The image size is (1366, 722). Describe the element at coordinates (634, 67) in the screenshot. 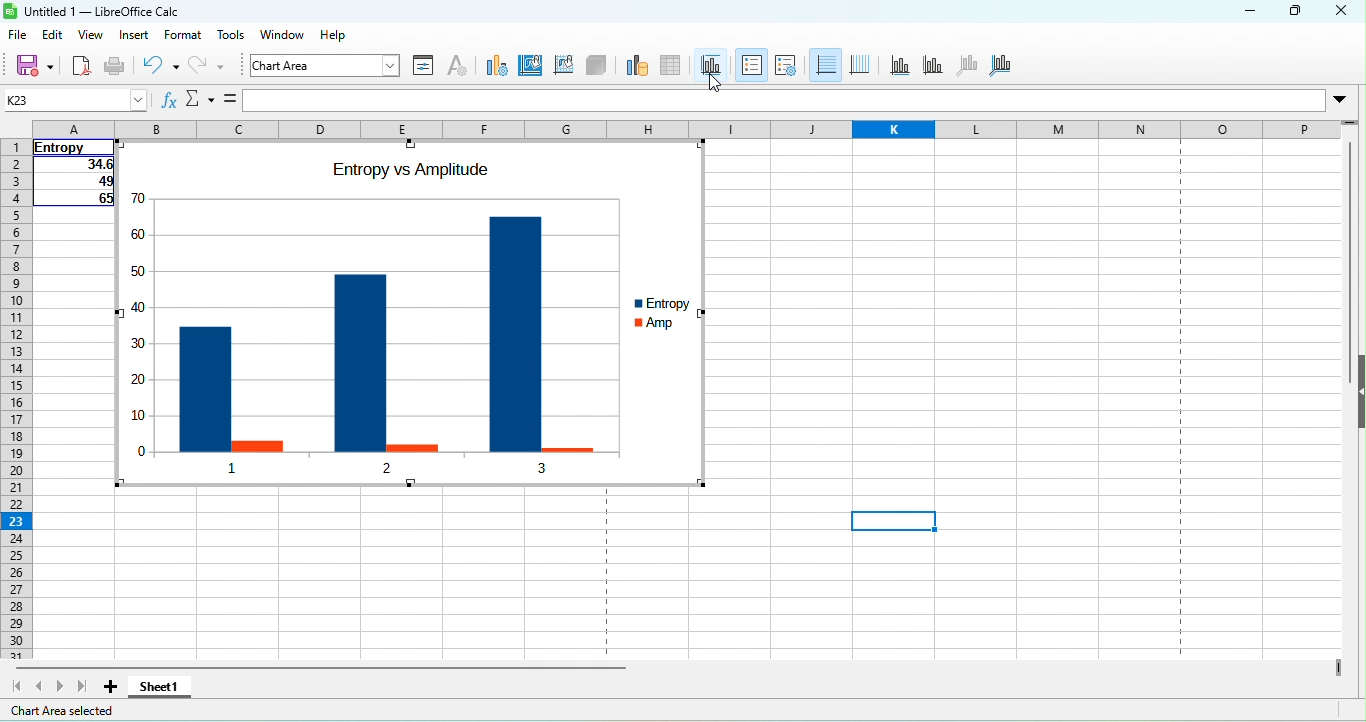

I see `data range` at that location.